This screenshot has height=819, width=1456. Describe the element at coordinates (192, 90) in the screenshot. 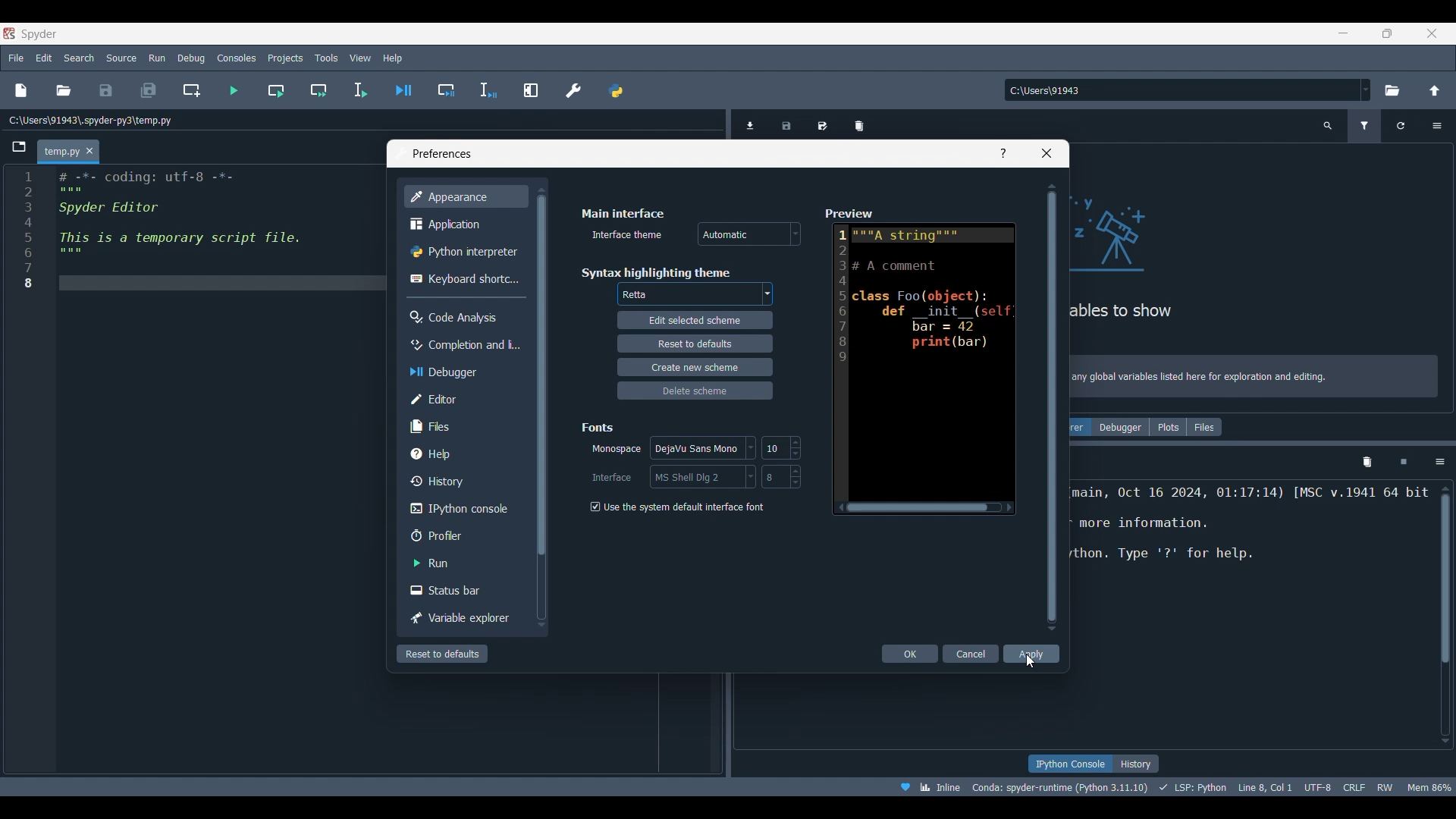

I see `Create new cell at the current line` at that location.